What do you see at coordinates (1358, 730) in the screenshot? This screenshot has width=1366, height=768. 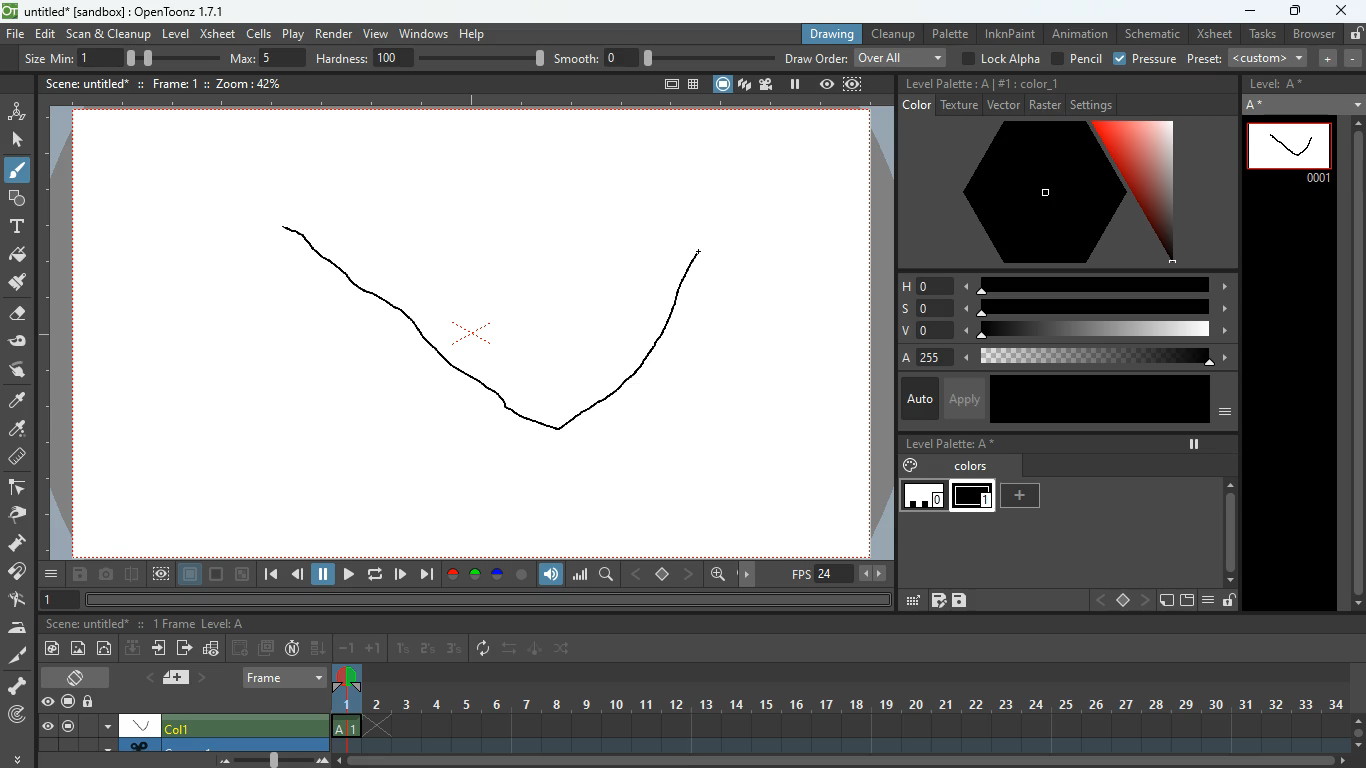 I see `scroll` at bounding box center [1358, 730].